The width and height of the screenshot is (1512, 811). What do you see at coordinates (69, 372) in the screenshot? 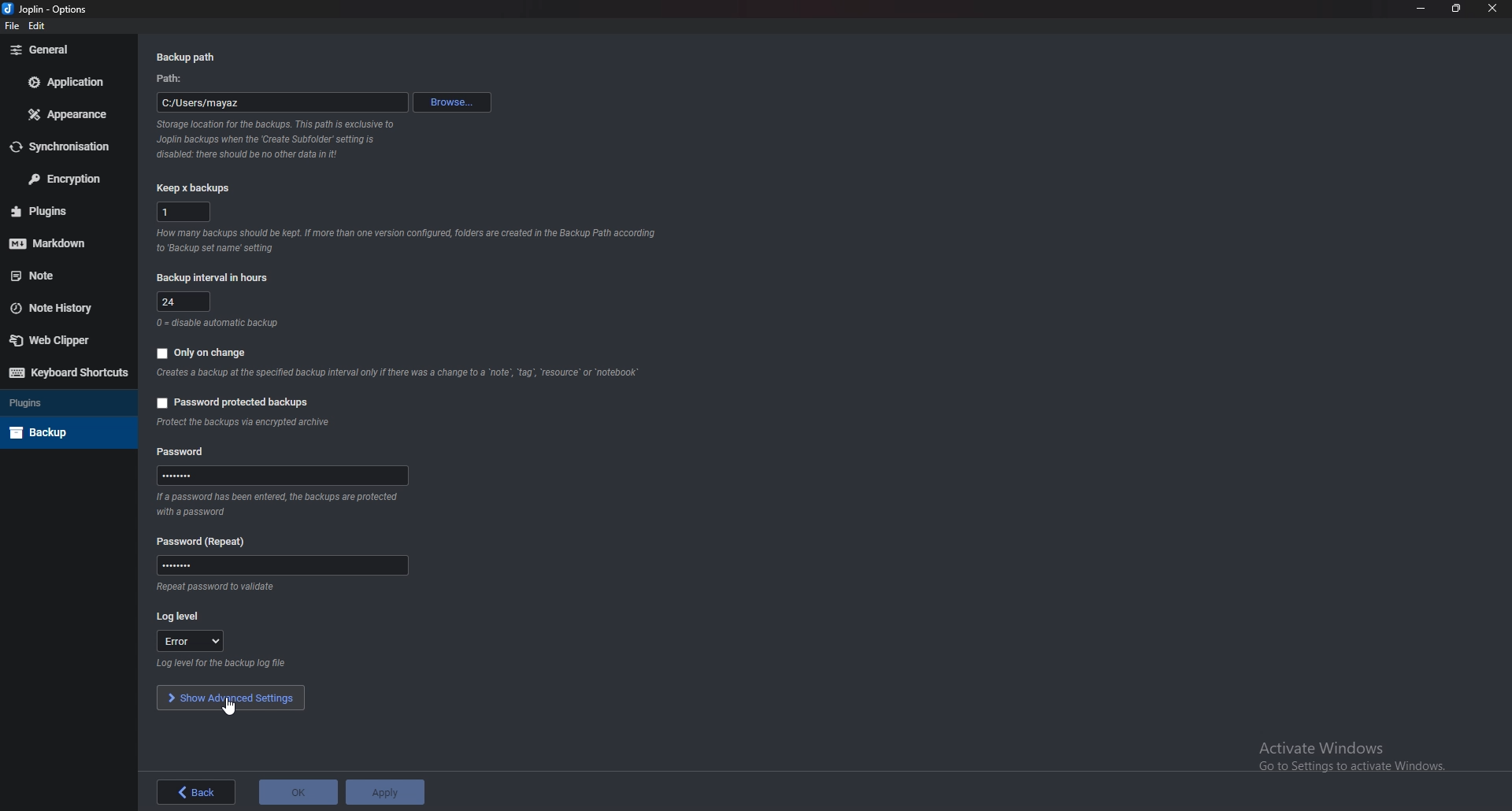
I see `Keyboard shortcuts` at bounding box center [69, 372].